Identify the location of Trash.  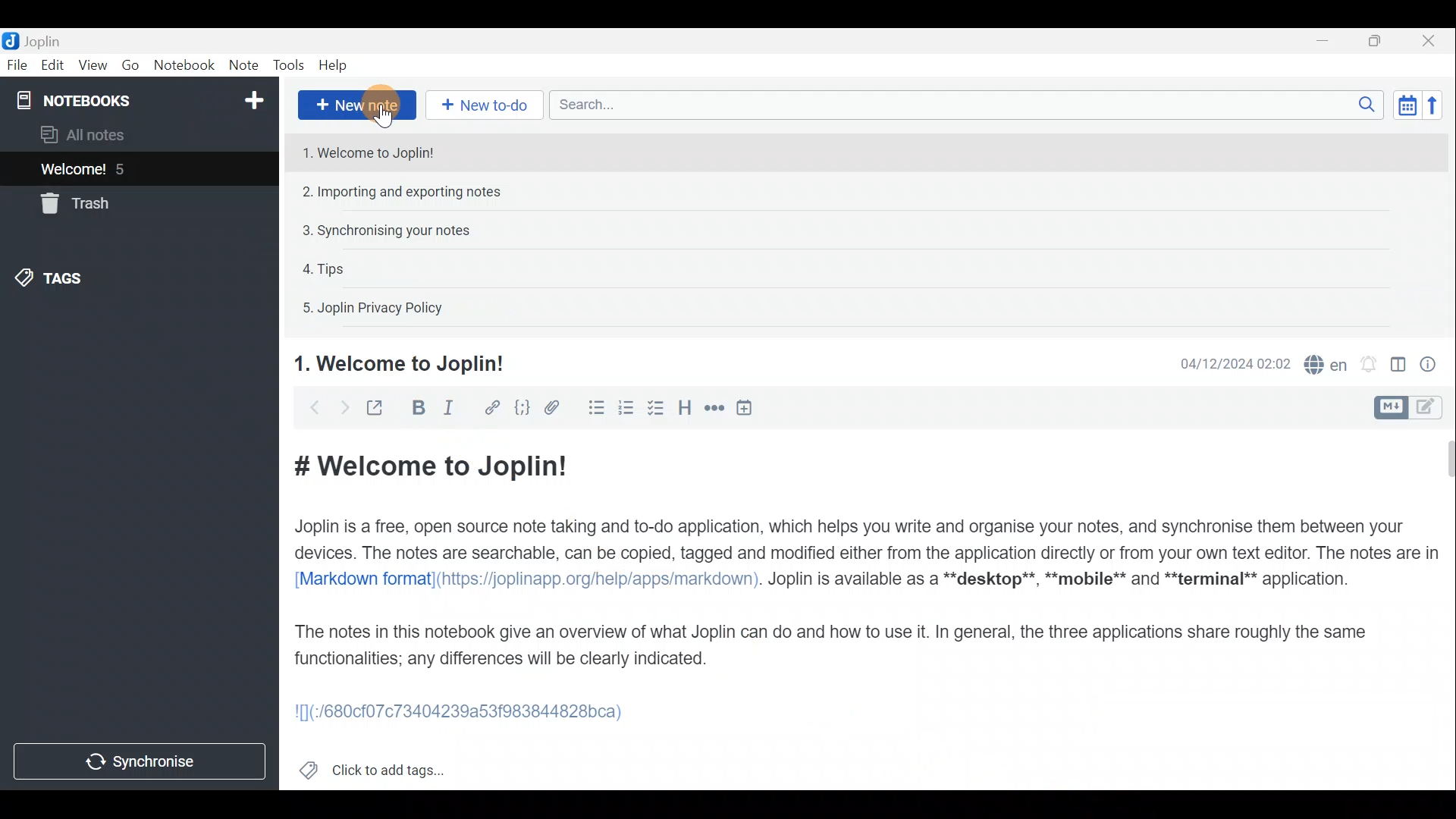
(72, 203).